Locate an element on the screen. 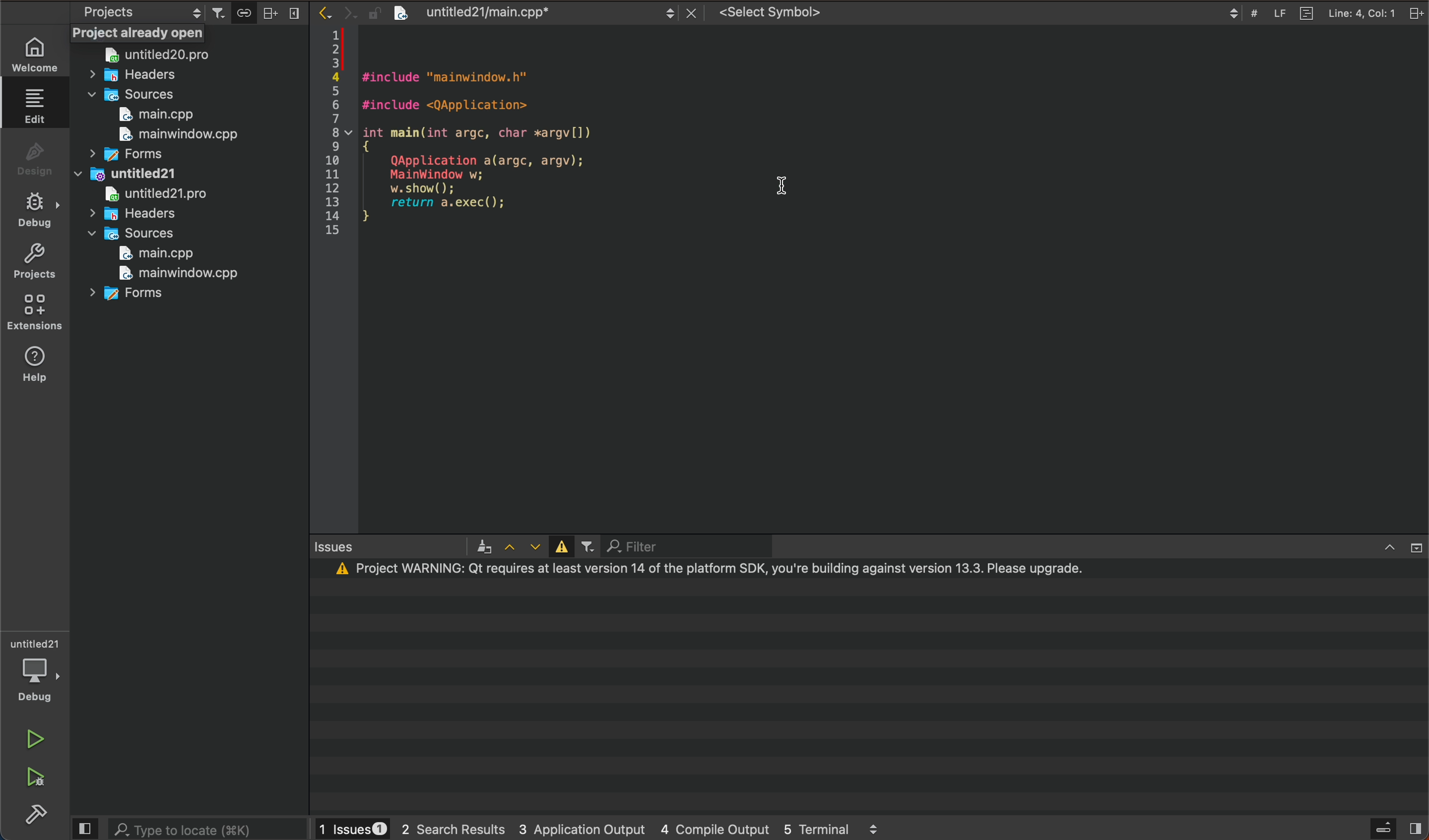 This screenshot has width=1429, height=840. unlock is located at coordinates (373, 11).